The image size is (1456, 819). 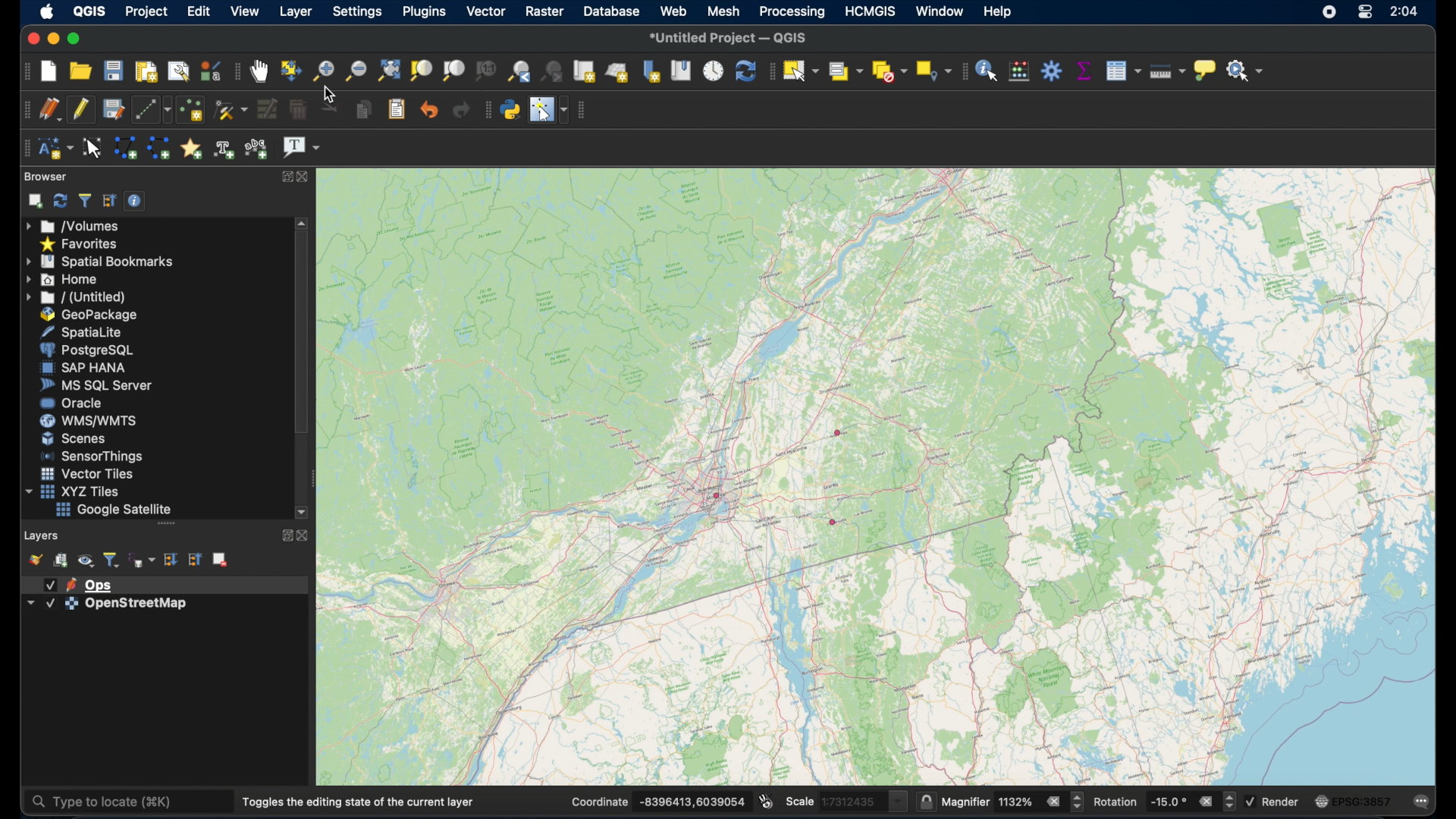 What do you see at coordinates (1020, 70) in the screenshot?
I see `open field calculator` at bounding box center [1020, 70].